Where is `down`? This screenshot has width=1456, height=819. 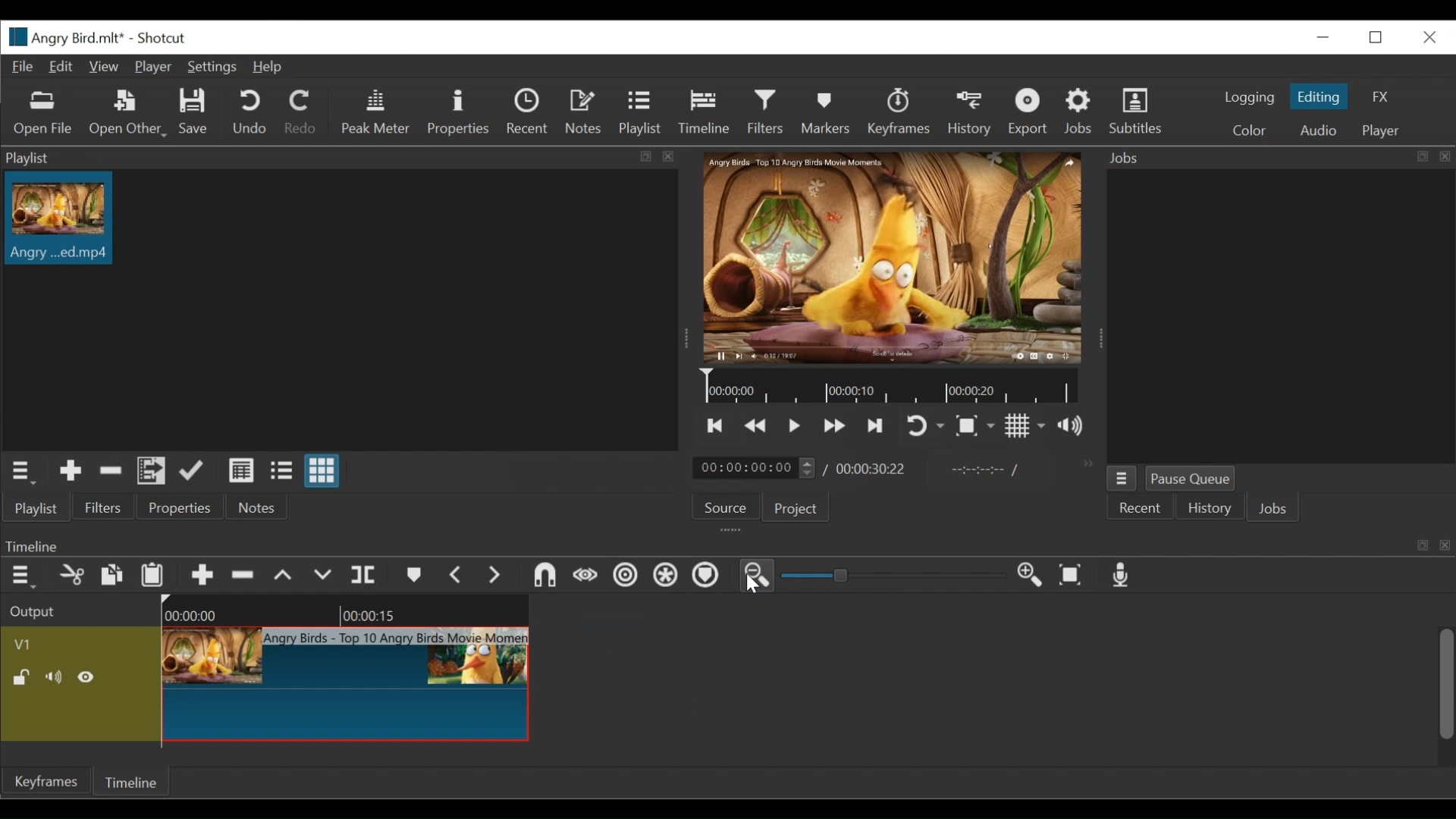
down is located at coordinates (328, 576).